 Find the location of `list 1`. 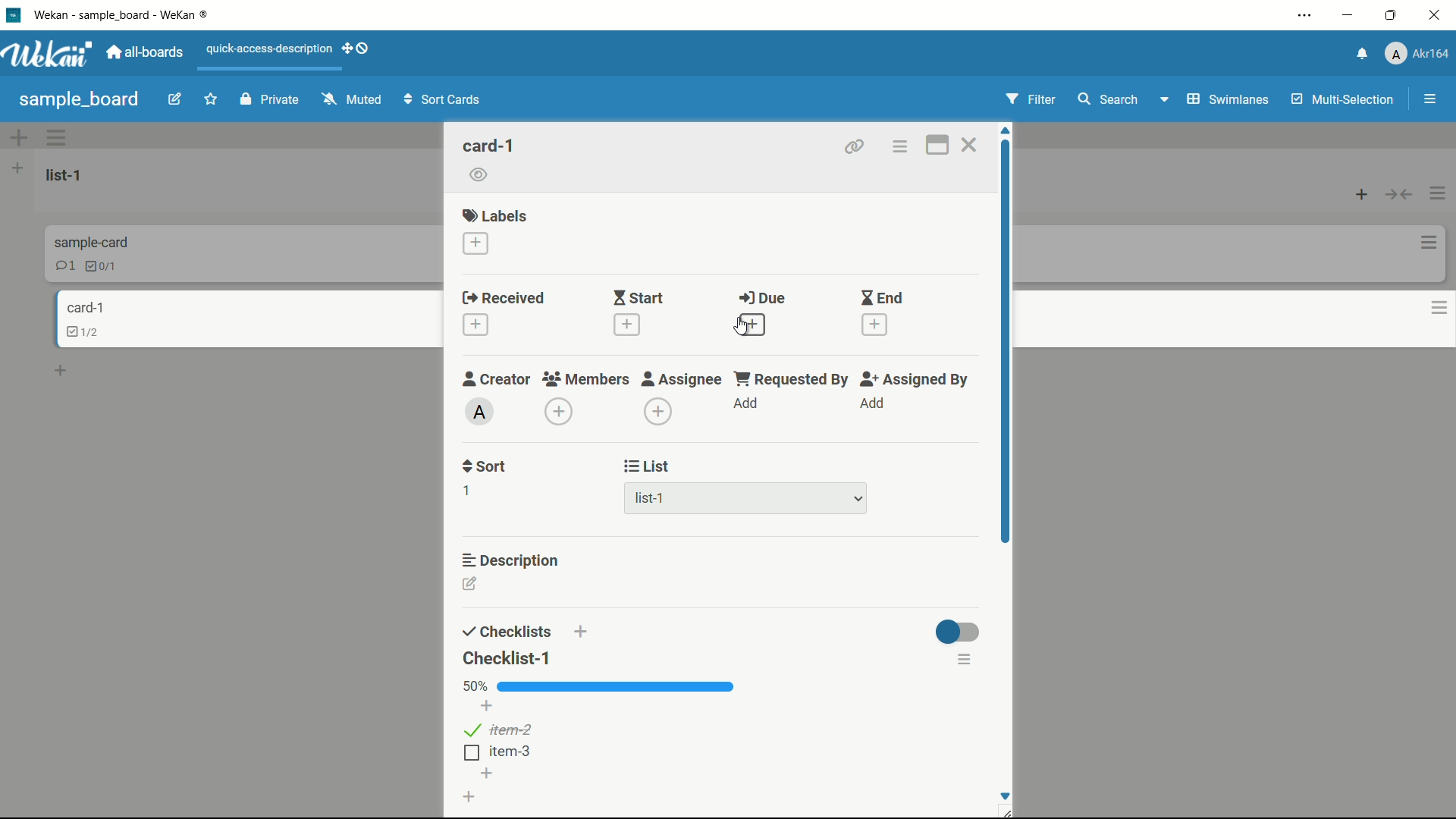

list 1 is located at coordinates (60, 175).